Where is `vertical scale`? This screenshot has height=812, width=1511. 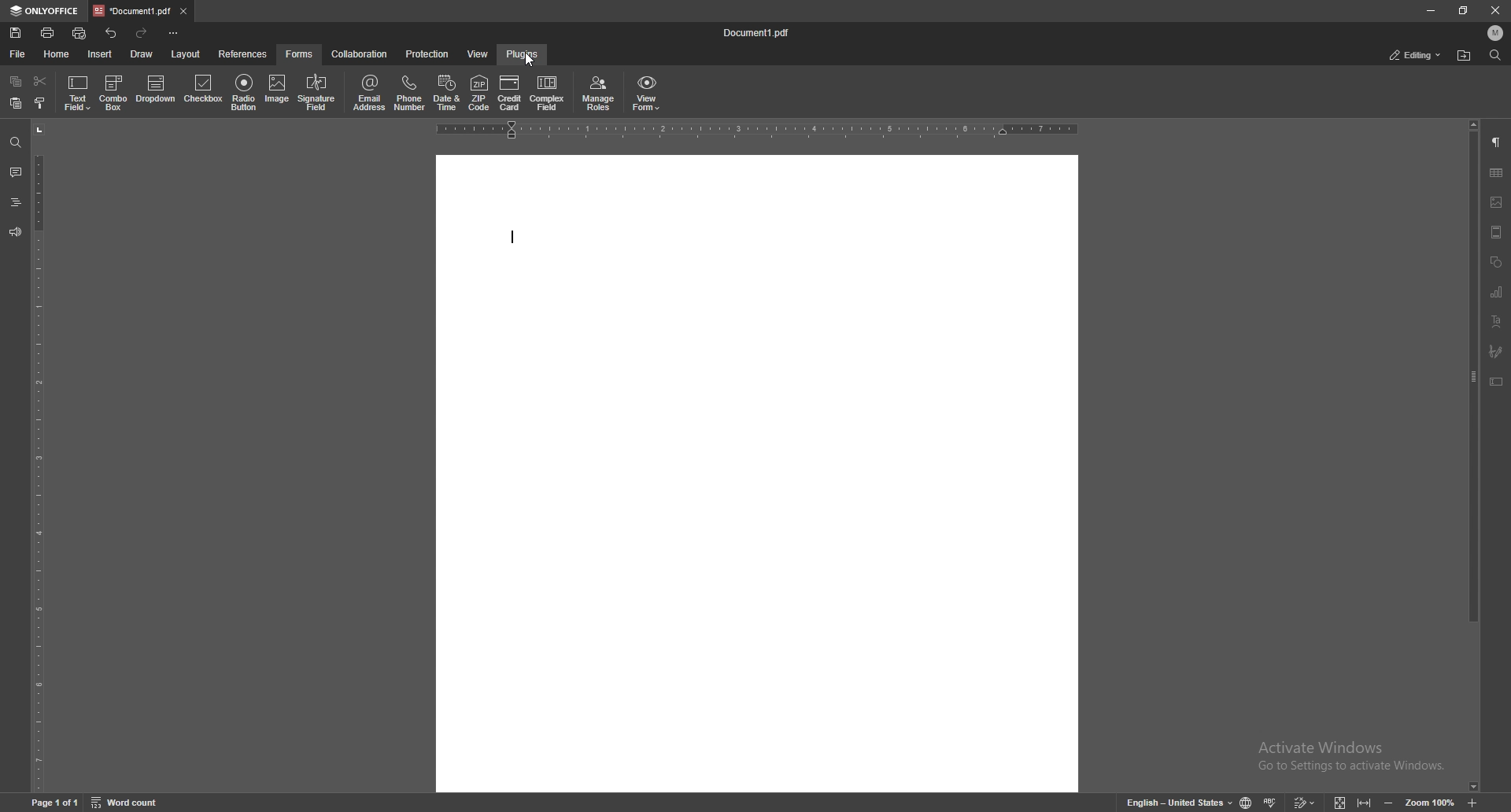
vertical scale is located at coordinates (39, 457).